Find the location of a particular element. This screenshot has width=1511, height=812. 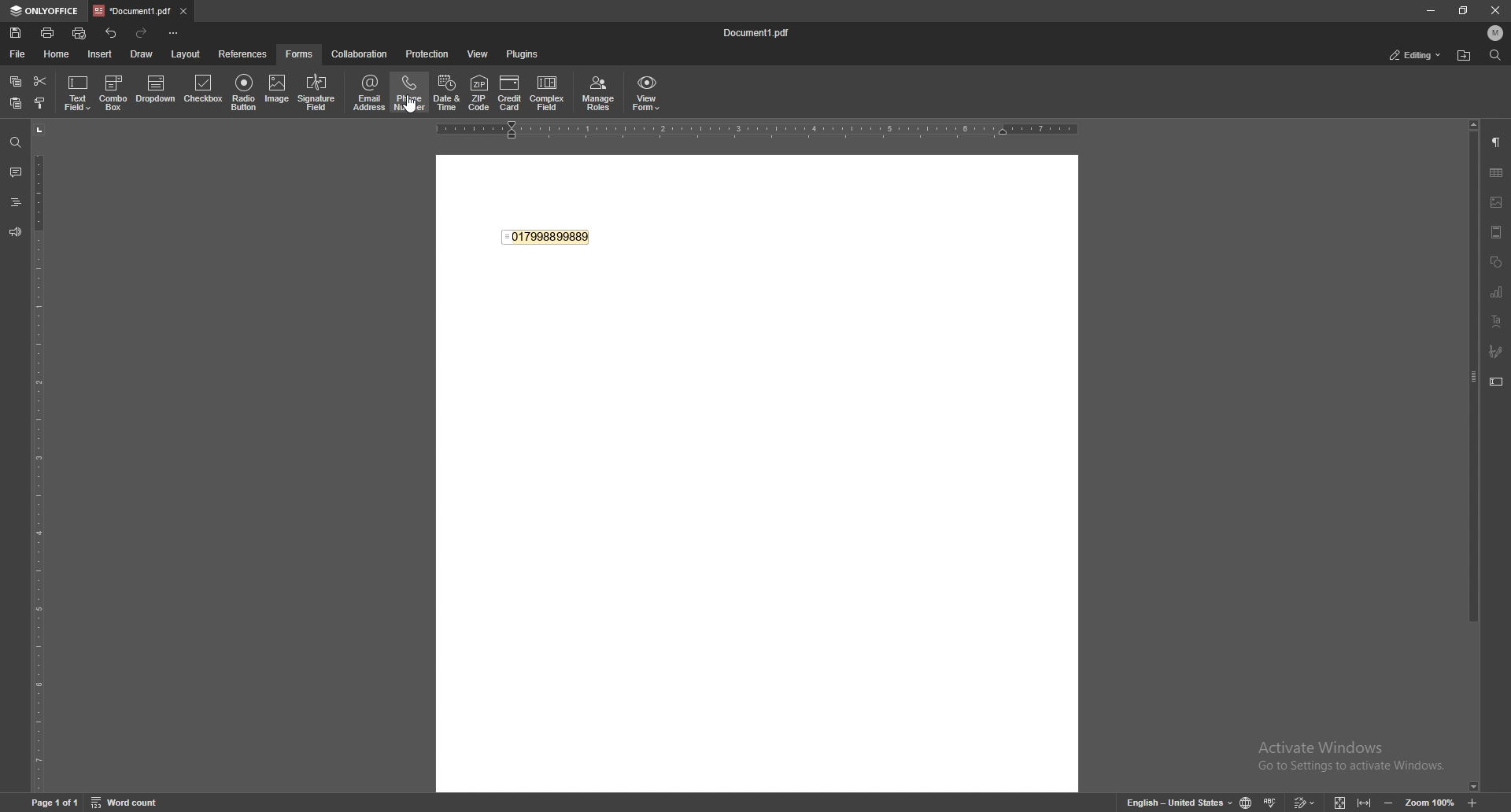

paste is located at coordinates (16, 103).